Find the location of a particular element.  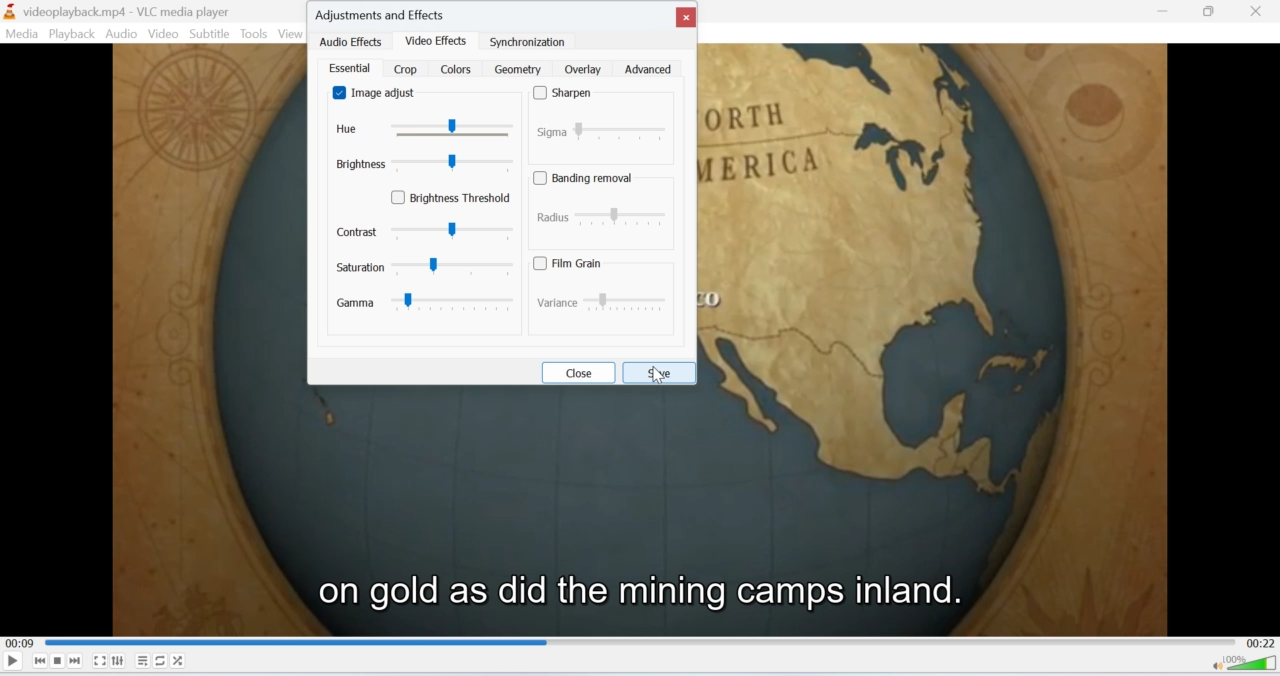

Video is located at coordinates (165, 34).